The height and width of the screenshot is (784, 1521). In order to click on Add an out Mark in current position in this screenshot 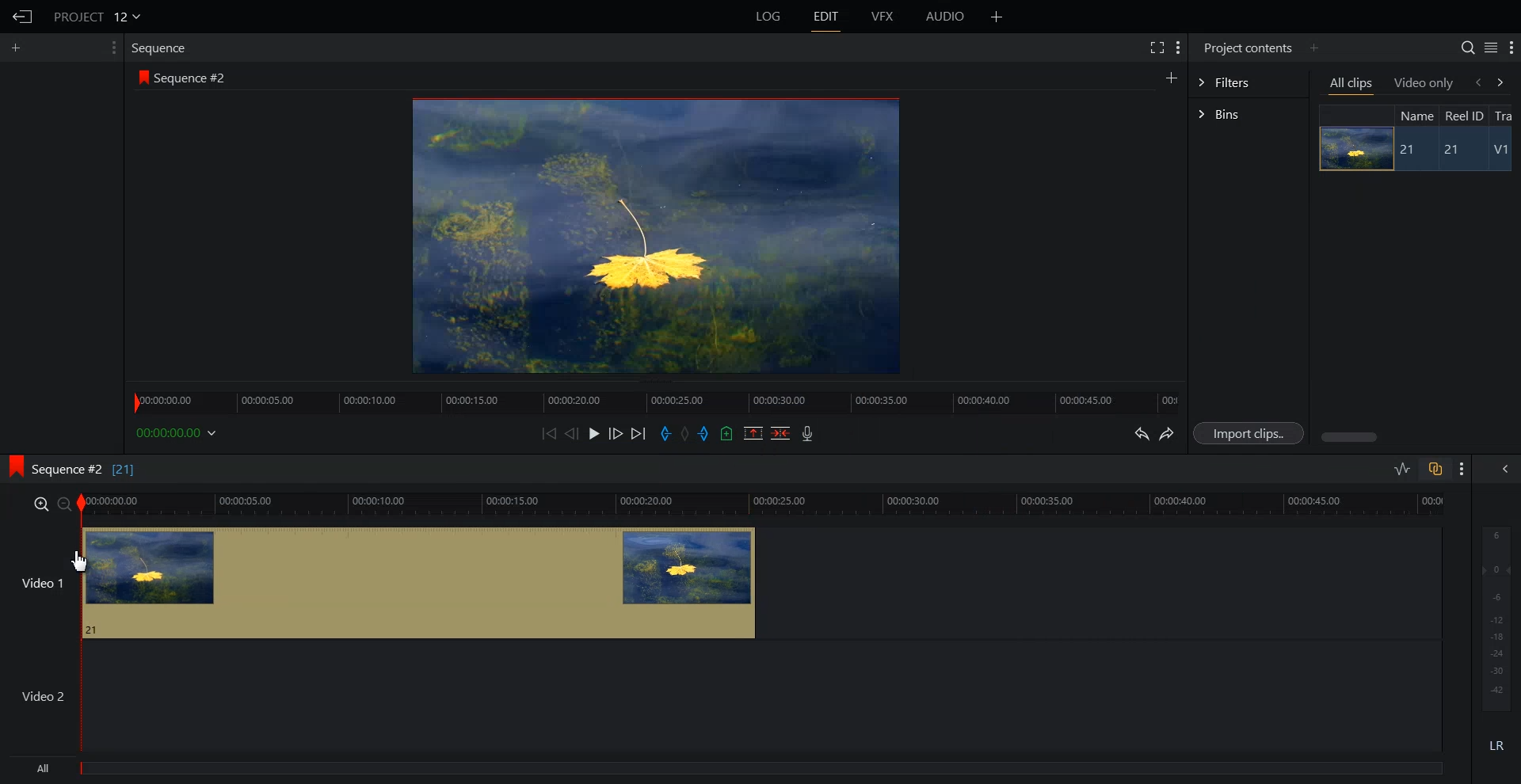, I will do `click(706, 433)`.